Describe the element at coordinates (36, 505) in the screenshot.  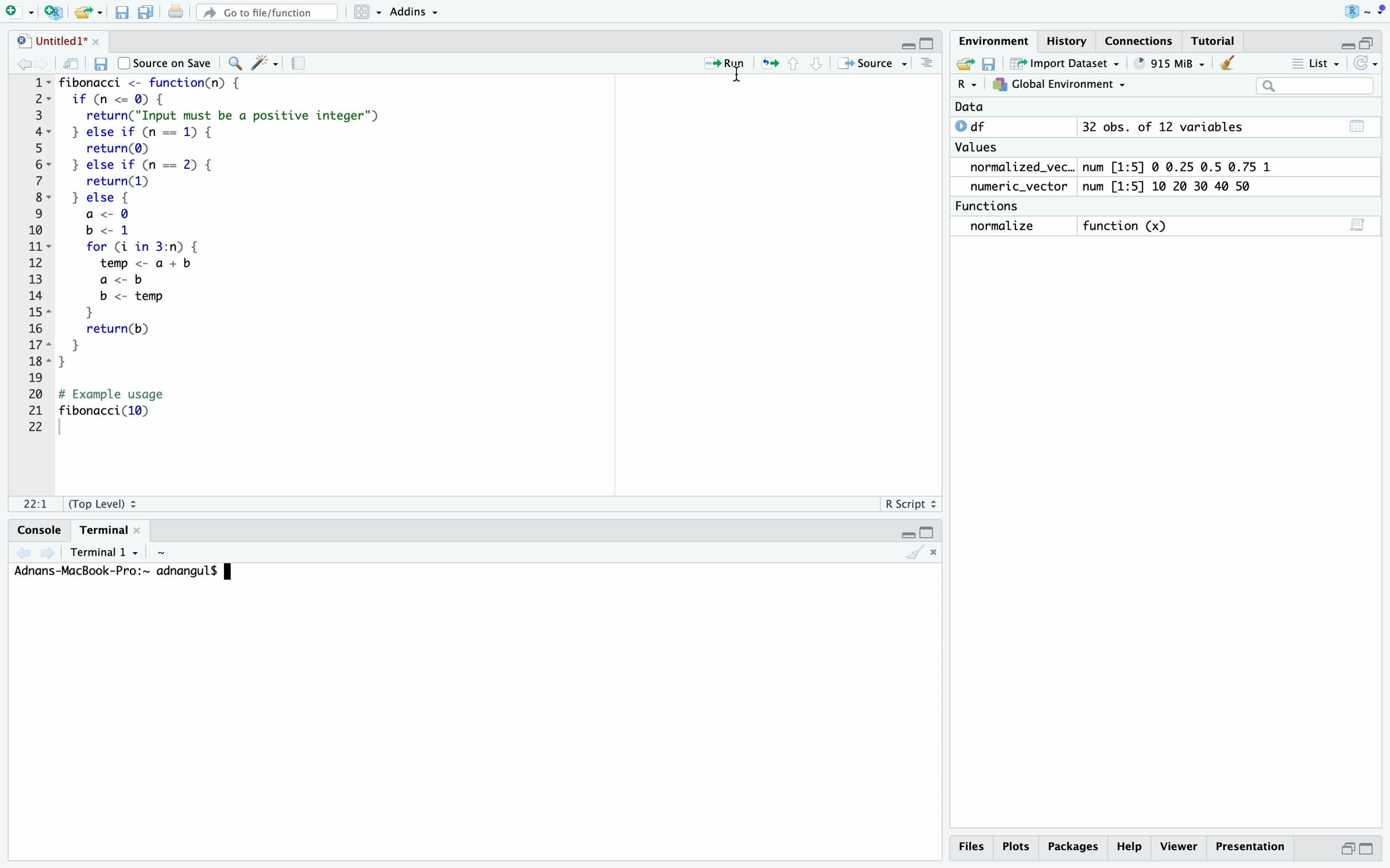
I see `1:1` at that location.